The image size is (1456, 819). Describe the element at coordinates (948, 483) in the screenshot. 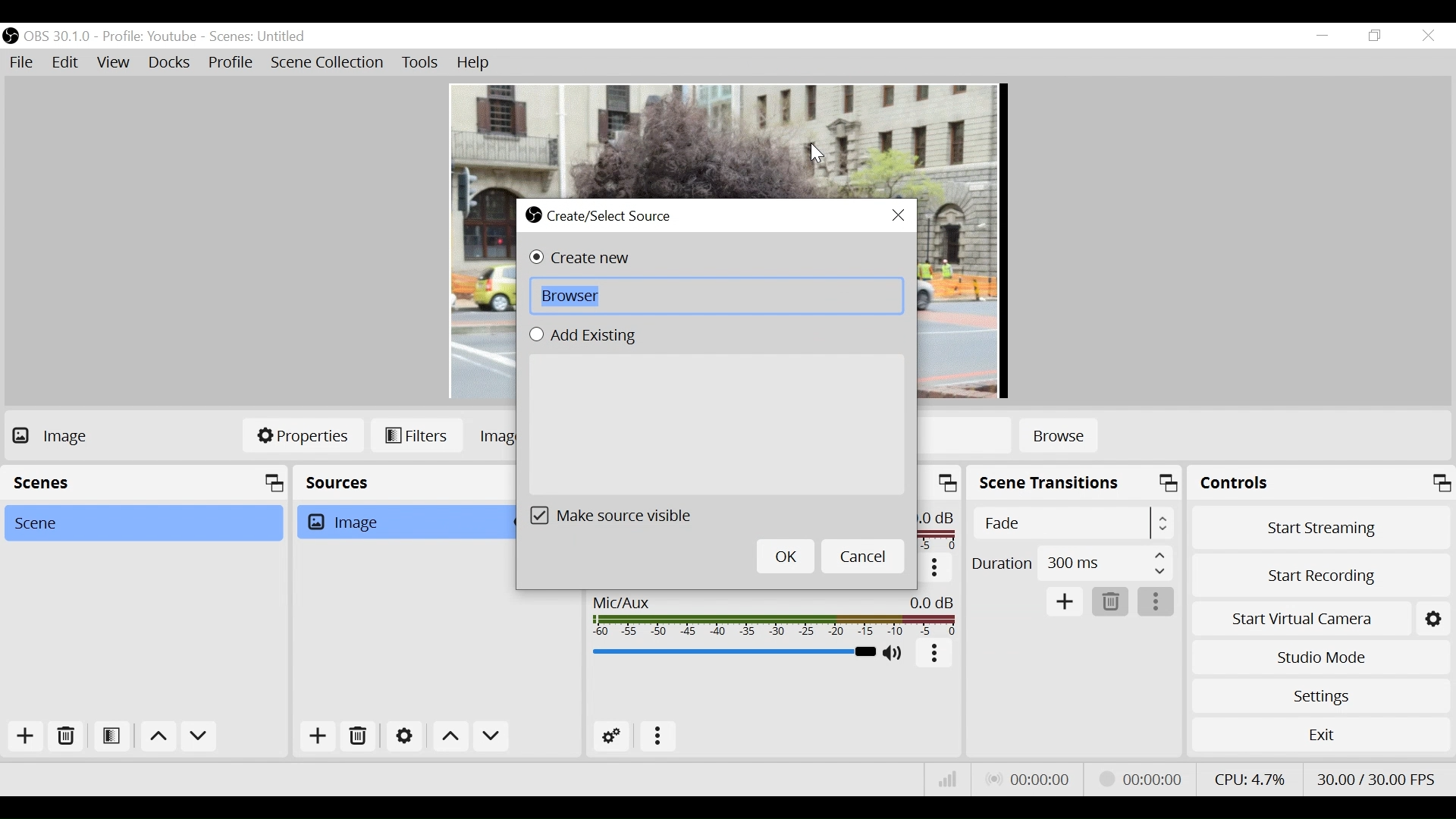

I see `maximize` at that location.